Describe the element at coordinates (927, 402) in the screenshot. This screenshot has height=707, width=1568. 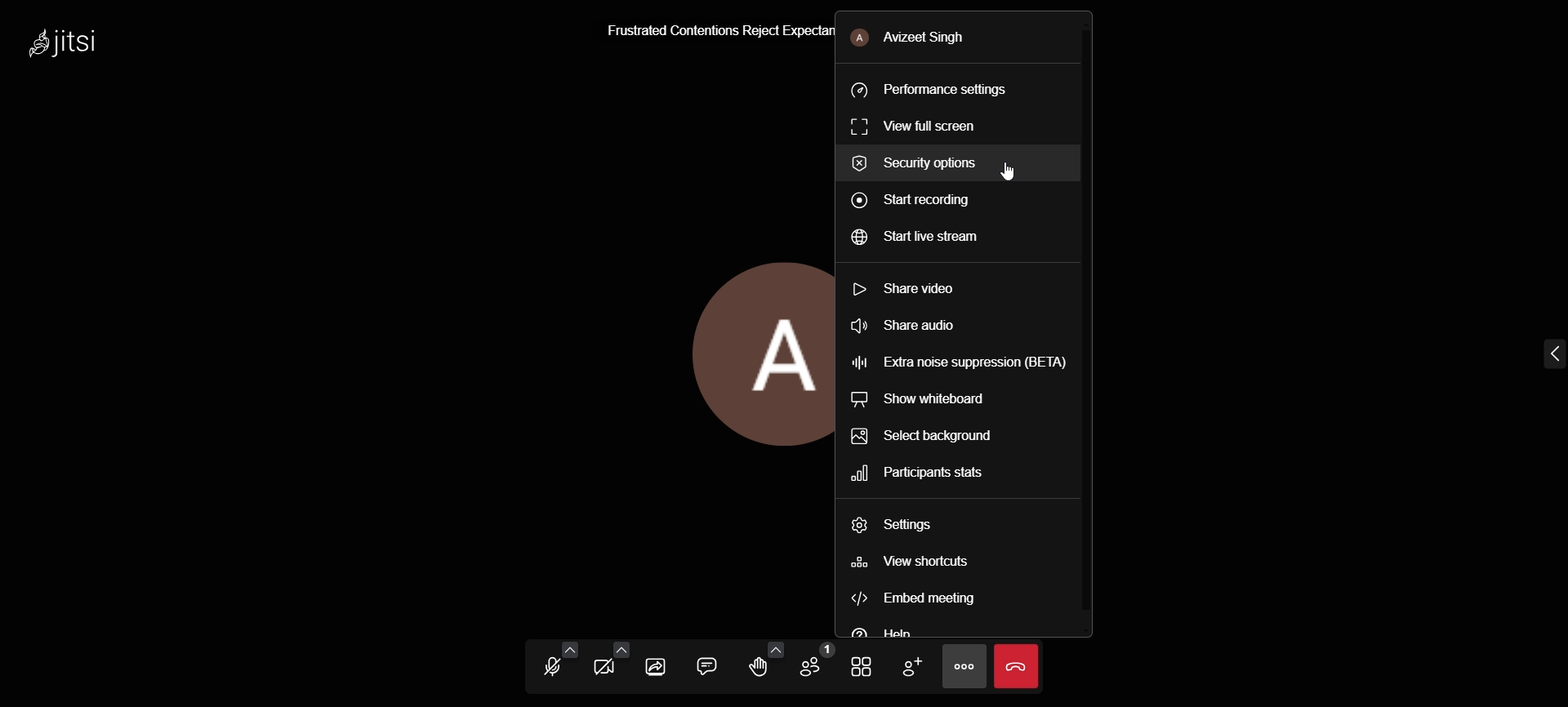
I see `show whiteboard` at that location.